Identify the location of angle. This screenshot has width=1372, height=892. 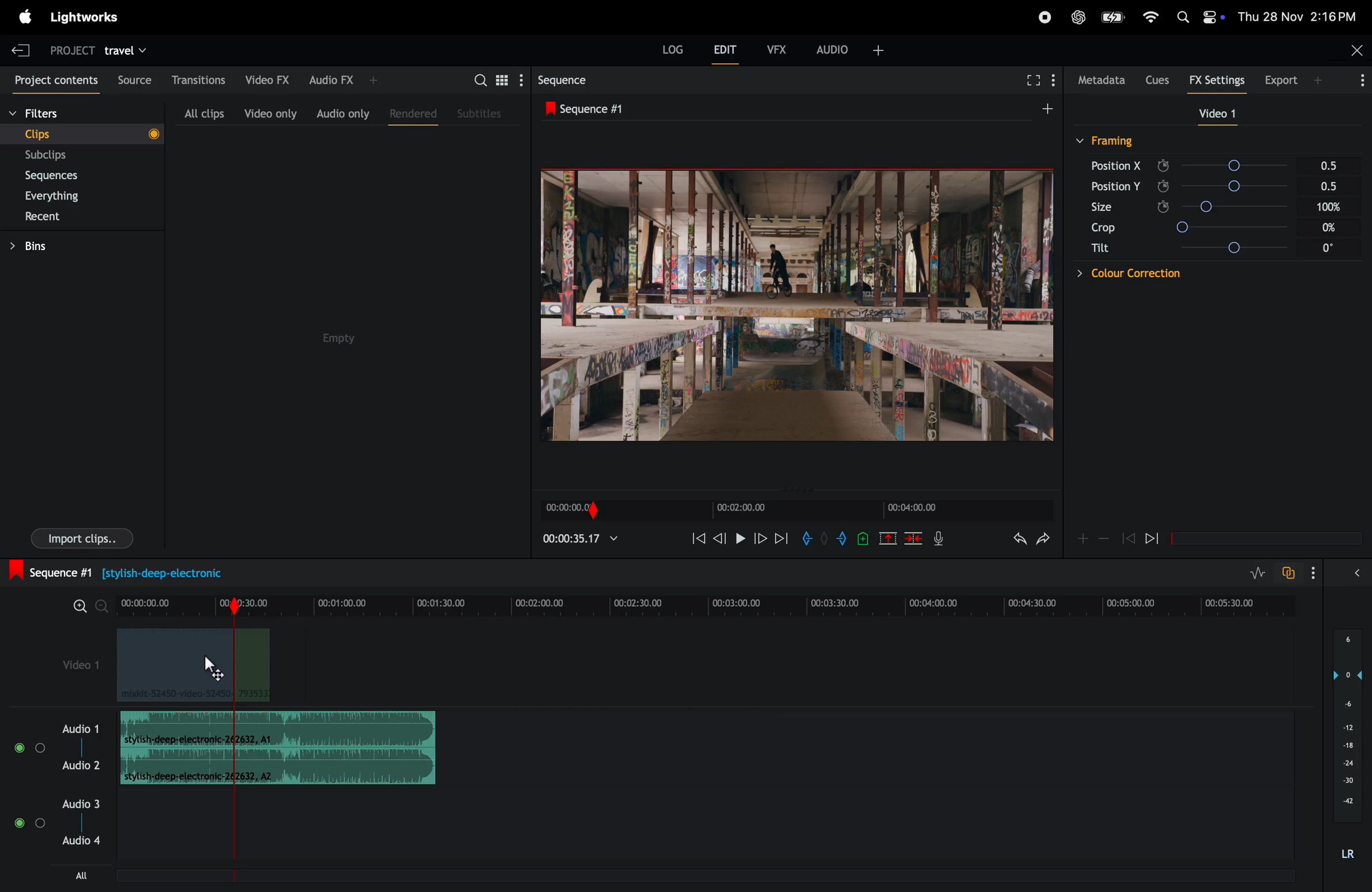
(1261, 247).